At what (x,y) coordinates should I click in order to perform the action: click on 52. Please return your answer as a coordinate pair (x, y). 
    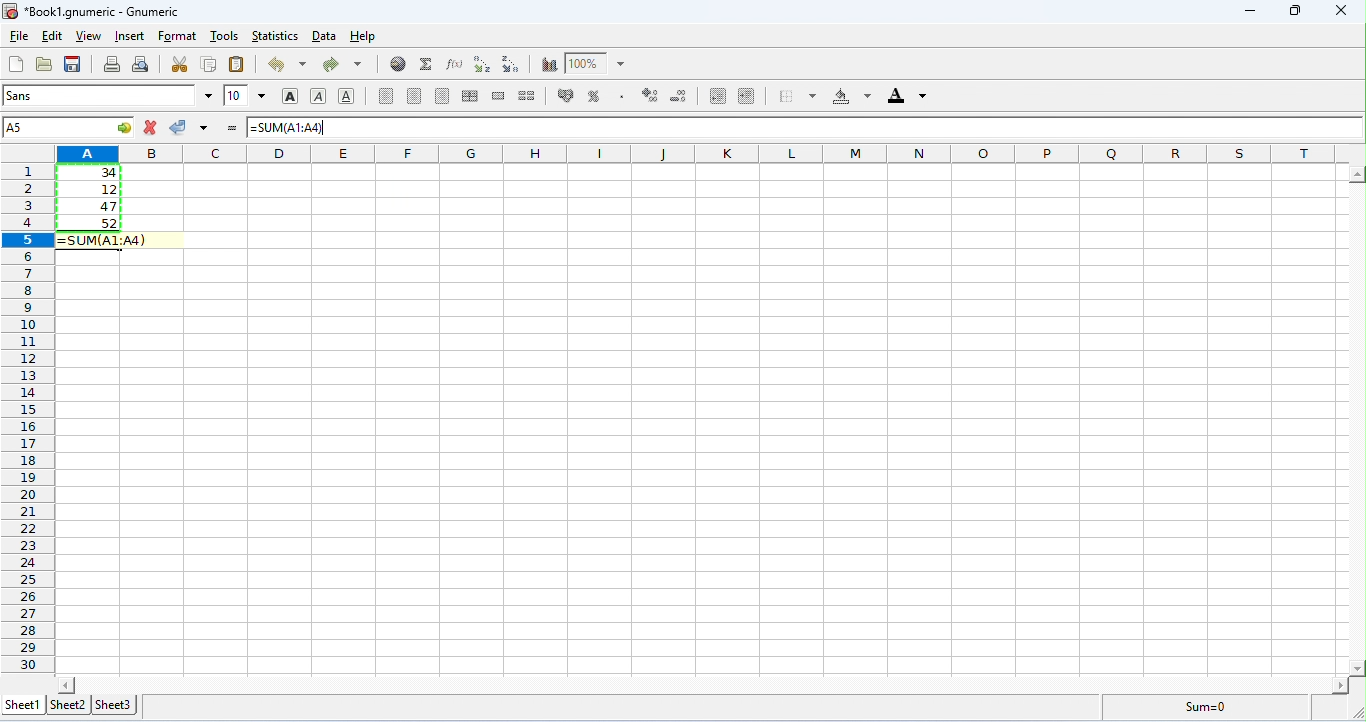
    Looking at the image, I should click on (91, 223).